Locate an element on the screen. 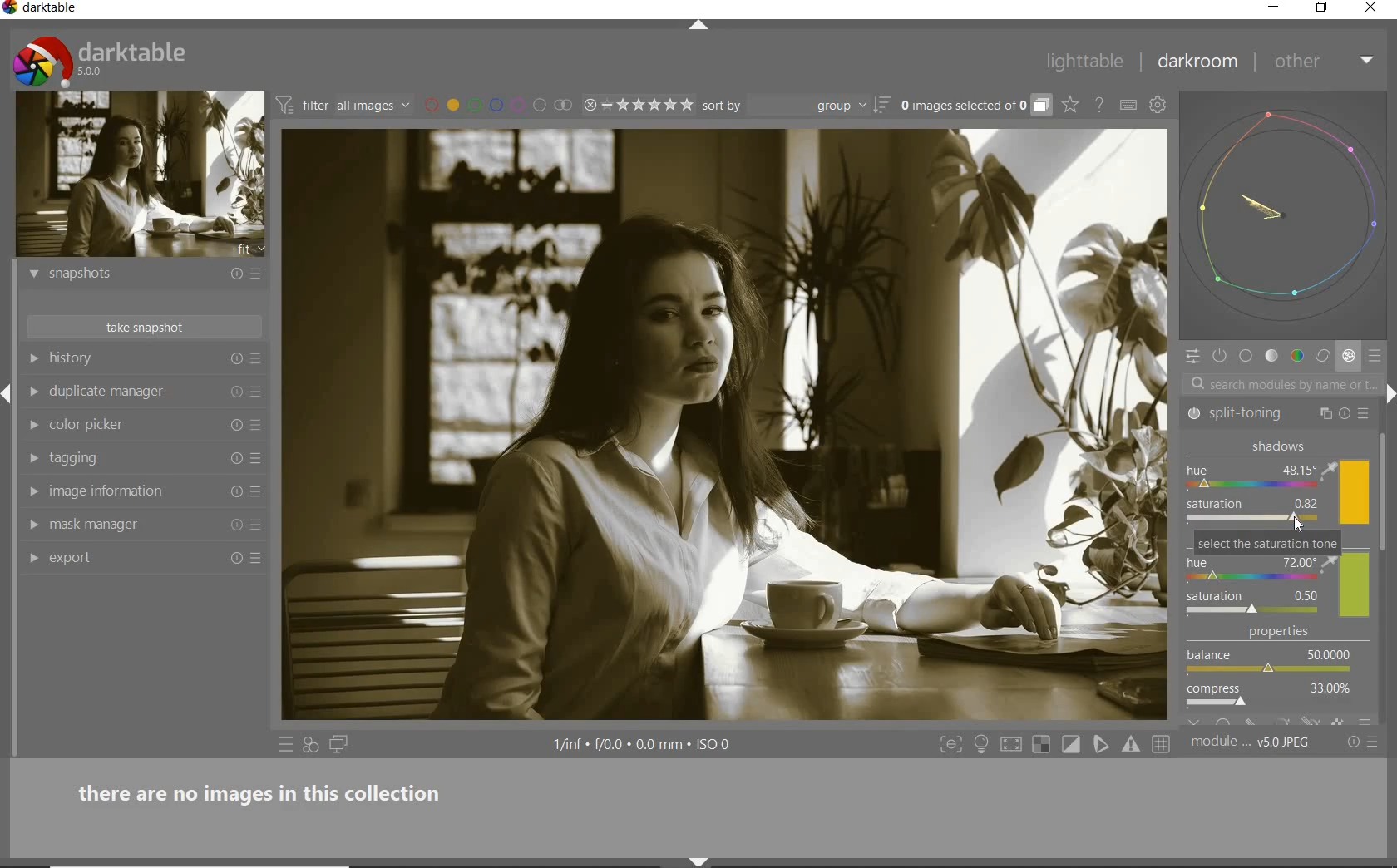 This screenshot has height=868, width=1397. expand grouped images is located at coordinates (975, 106).